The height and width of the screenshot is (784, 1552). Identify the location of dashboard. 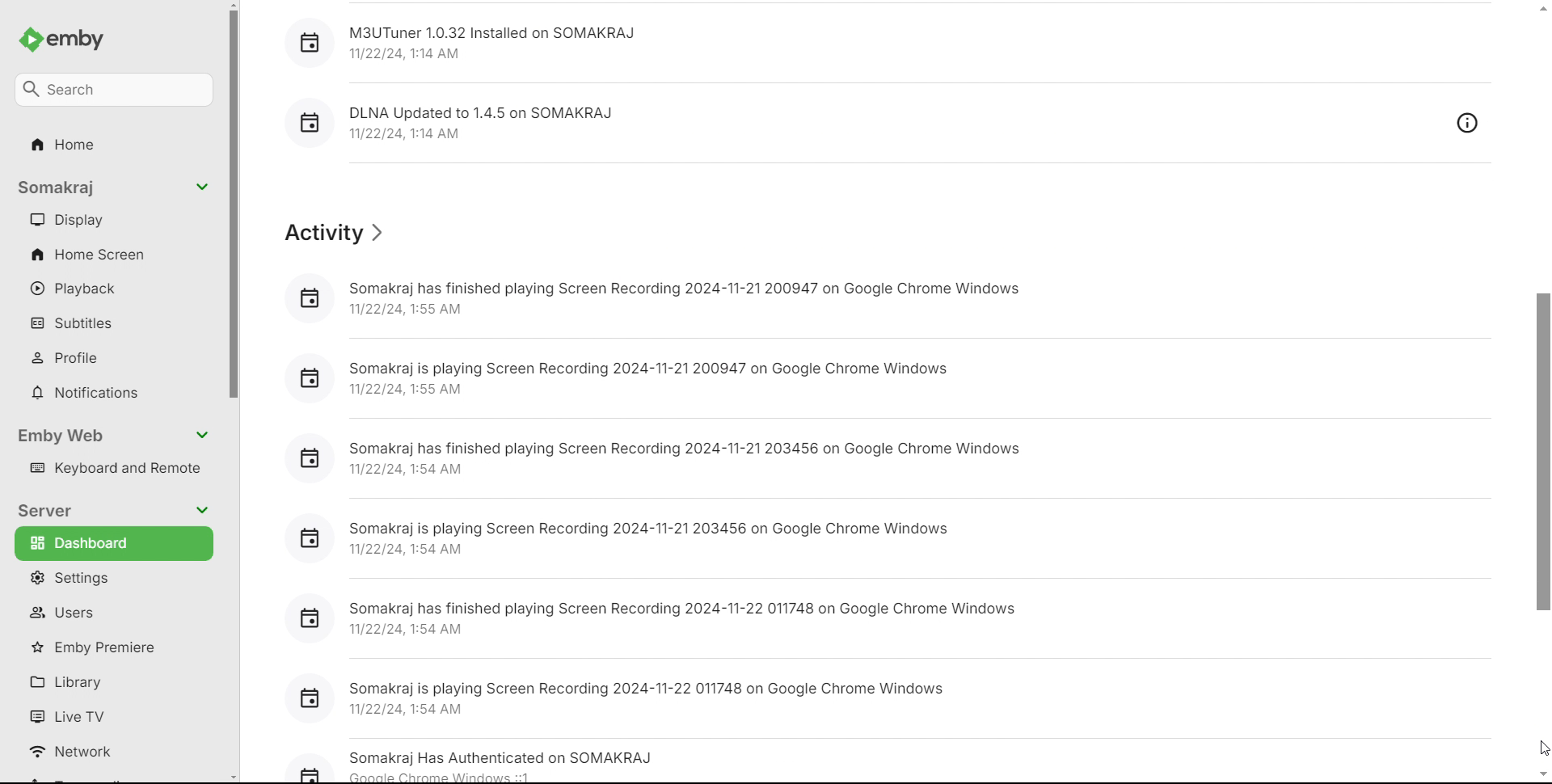
(113, 544).